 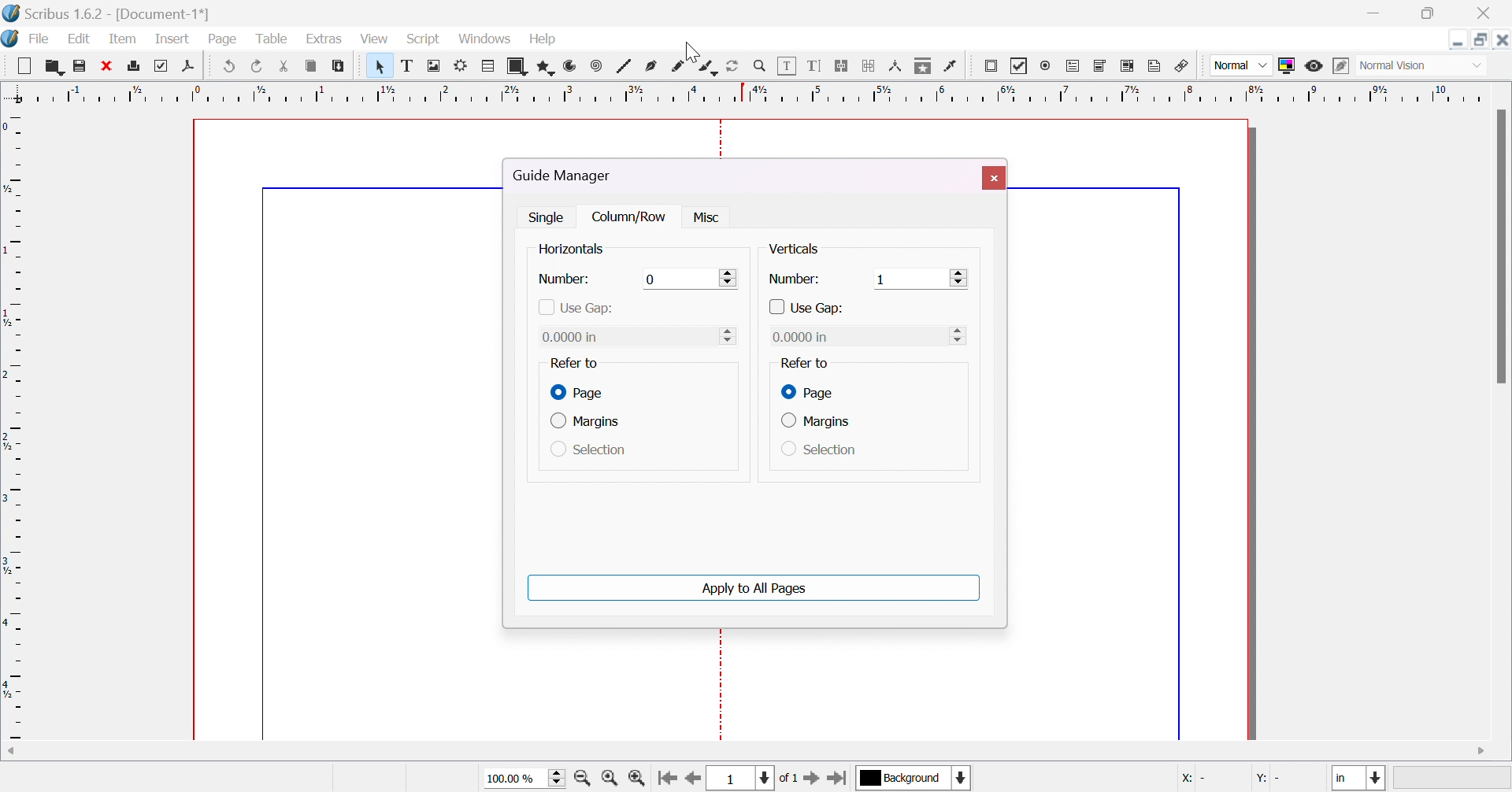 I want to click on slider, so click(x=962, y=335).